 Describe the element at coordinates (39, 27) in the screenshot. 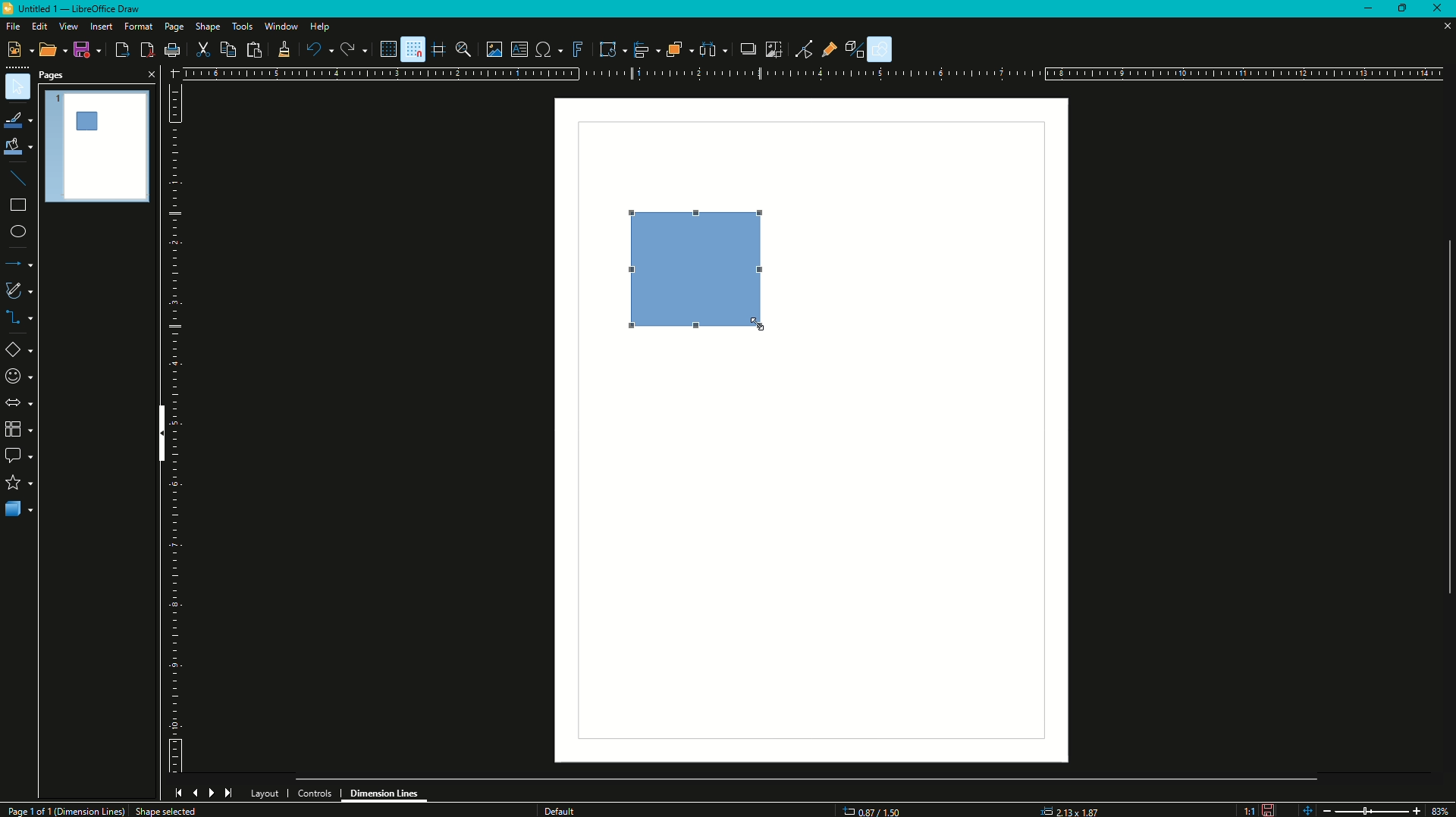

I see `Edit` at that location.